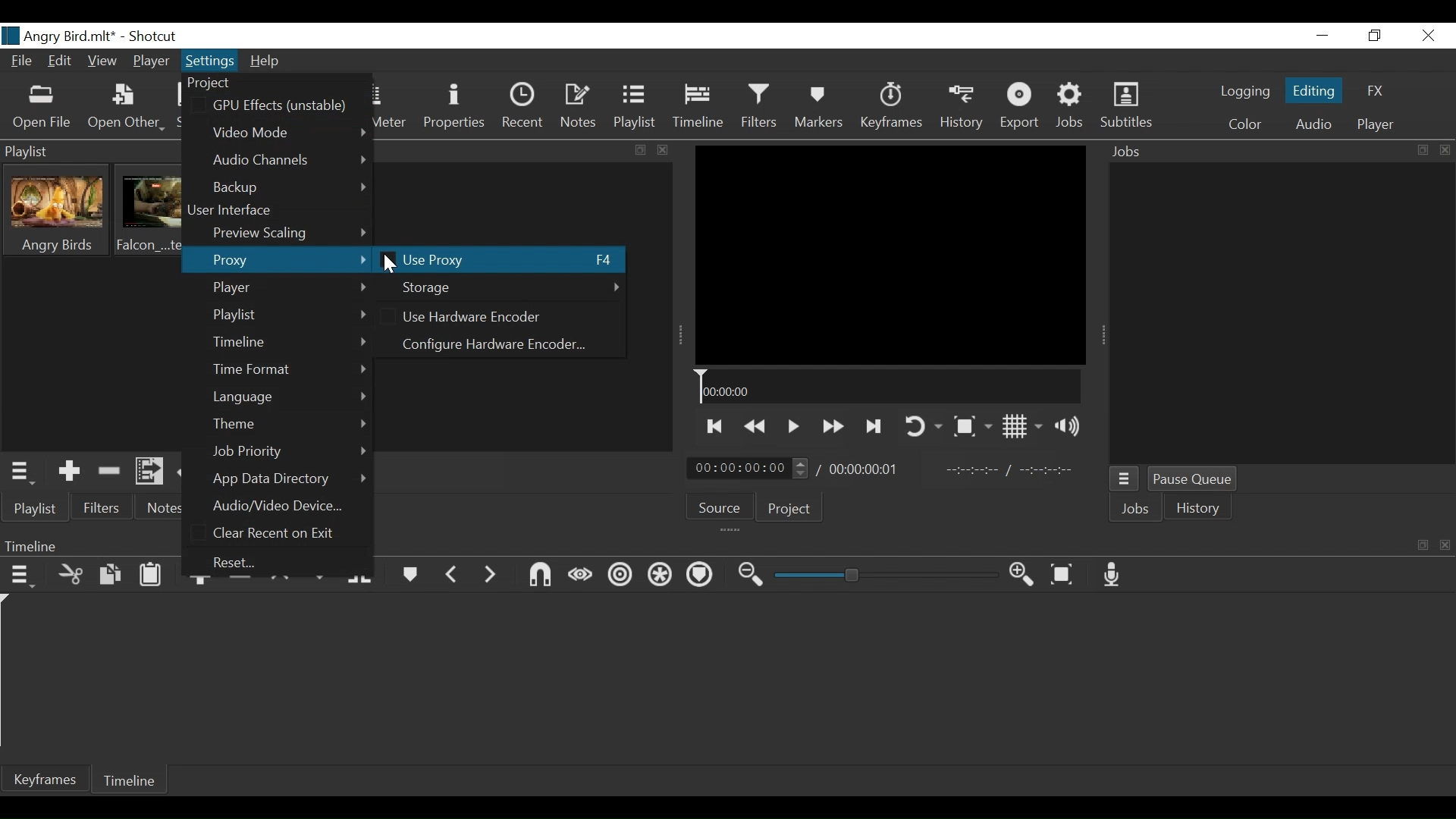 The width and height of the screenshot is (1456, 819). Describe the element at coordinates (1373, 35) in the screenshot. I see `Restore` at that location.